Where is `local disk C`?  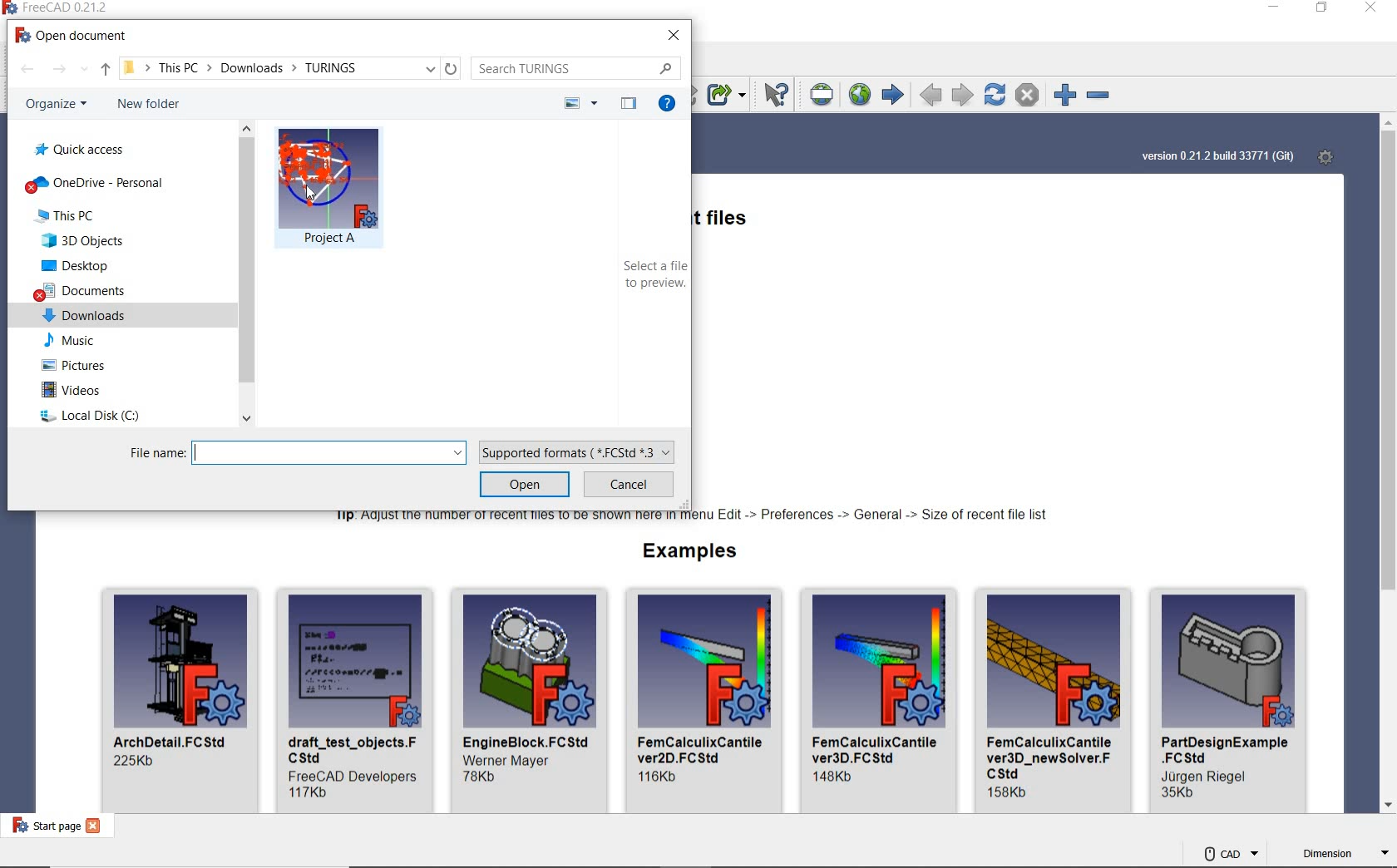 local disk C is located at coordinates (91, 413).